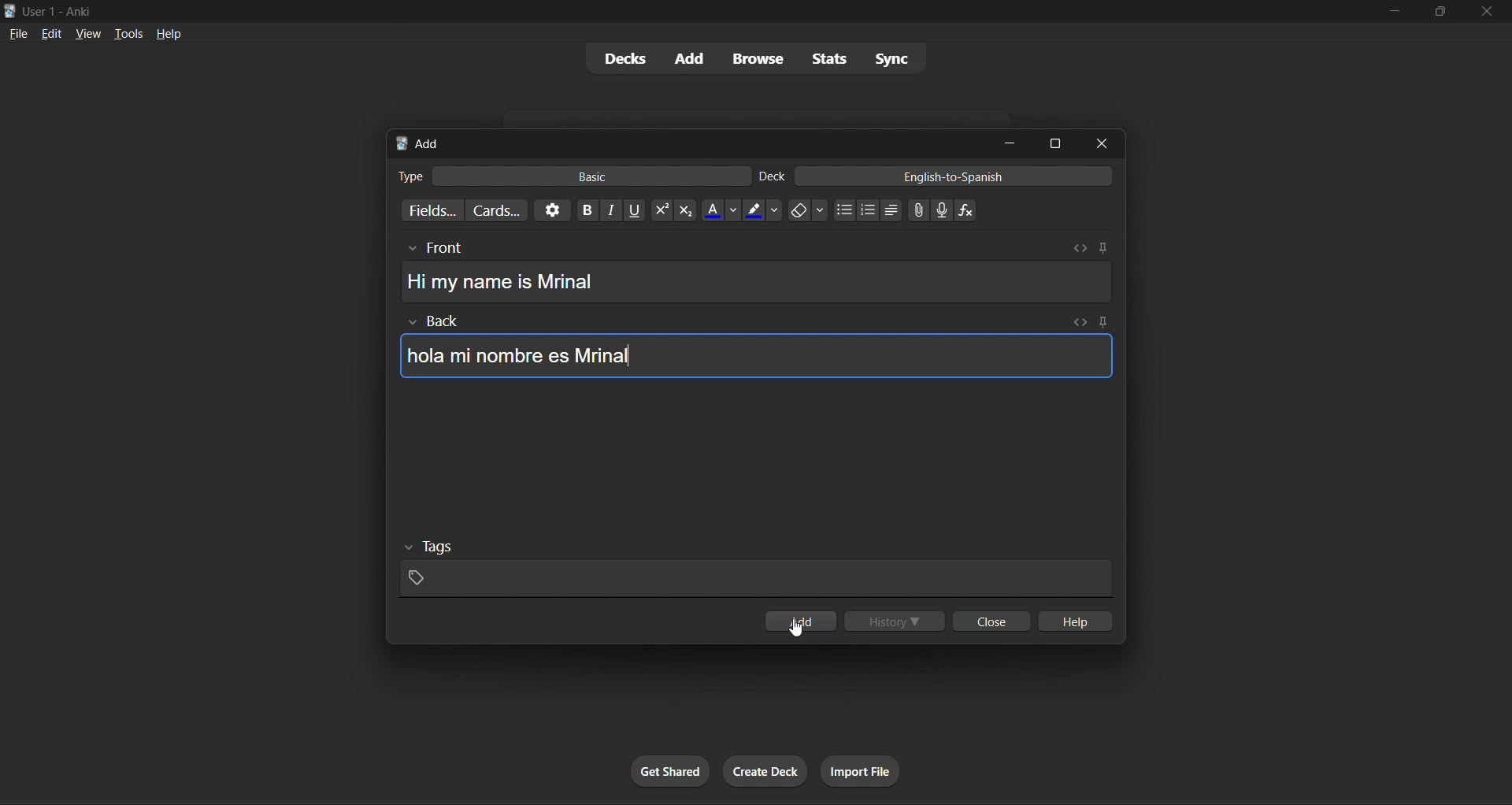 This screenshot has width=1512, height=805. Describe the element at coordinates (1392, 14) in the screenshot. I see `minimize` at that location.